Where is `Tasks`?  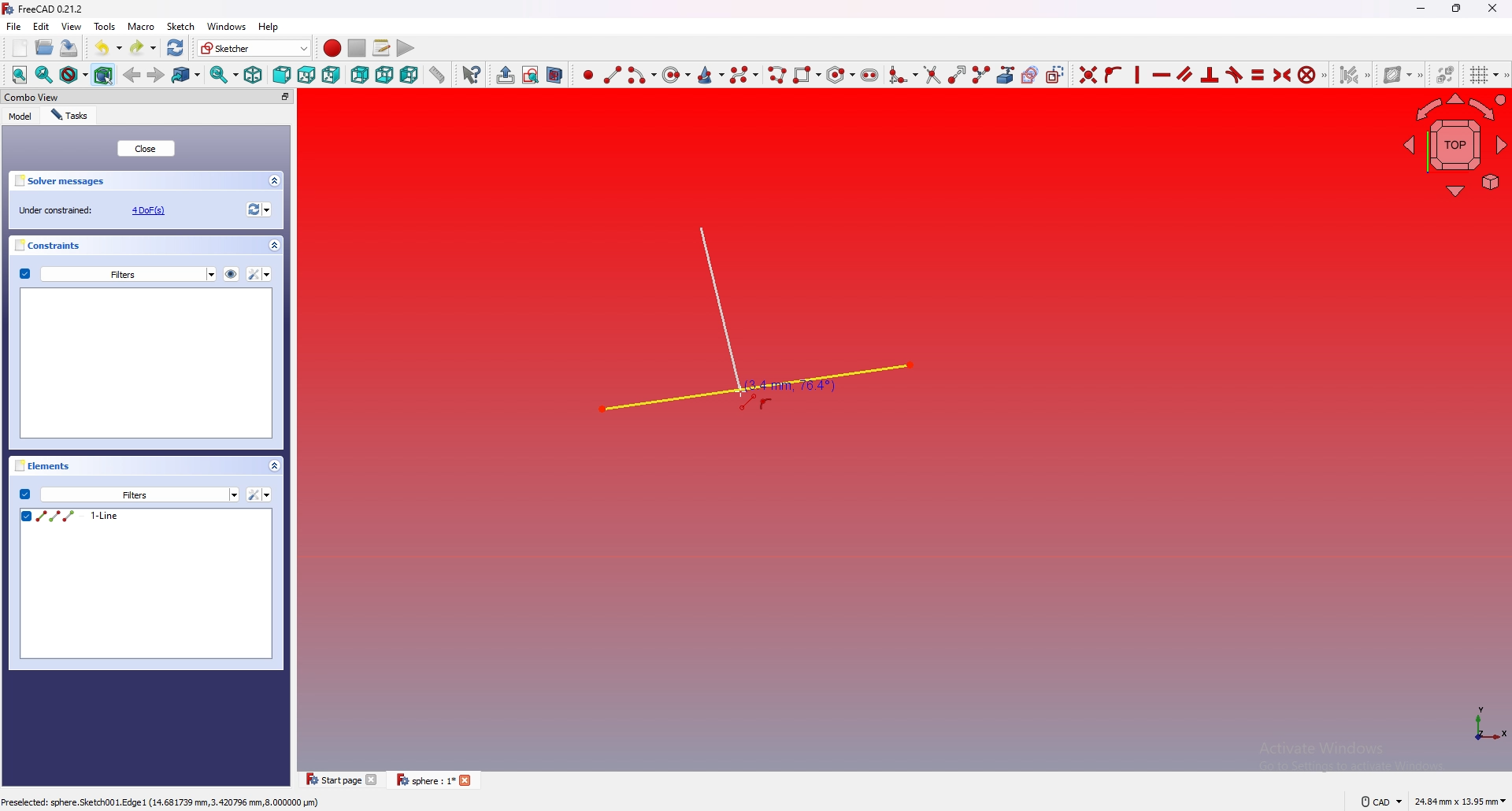
Tasks is located at coordinates (72, 115).